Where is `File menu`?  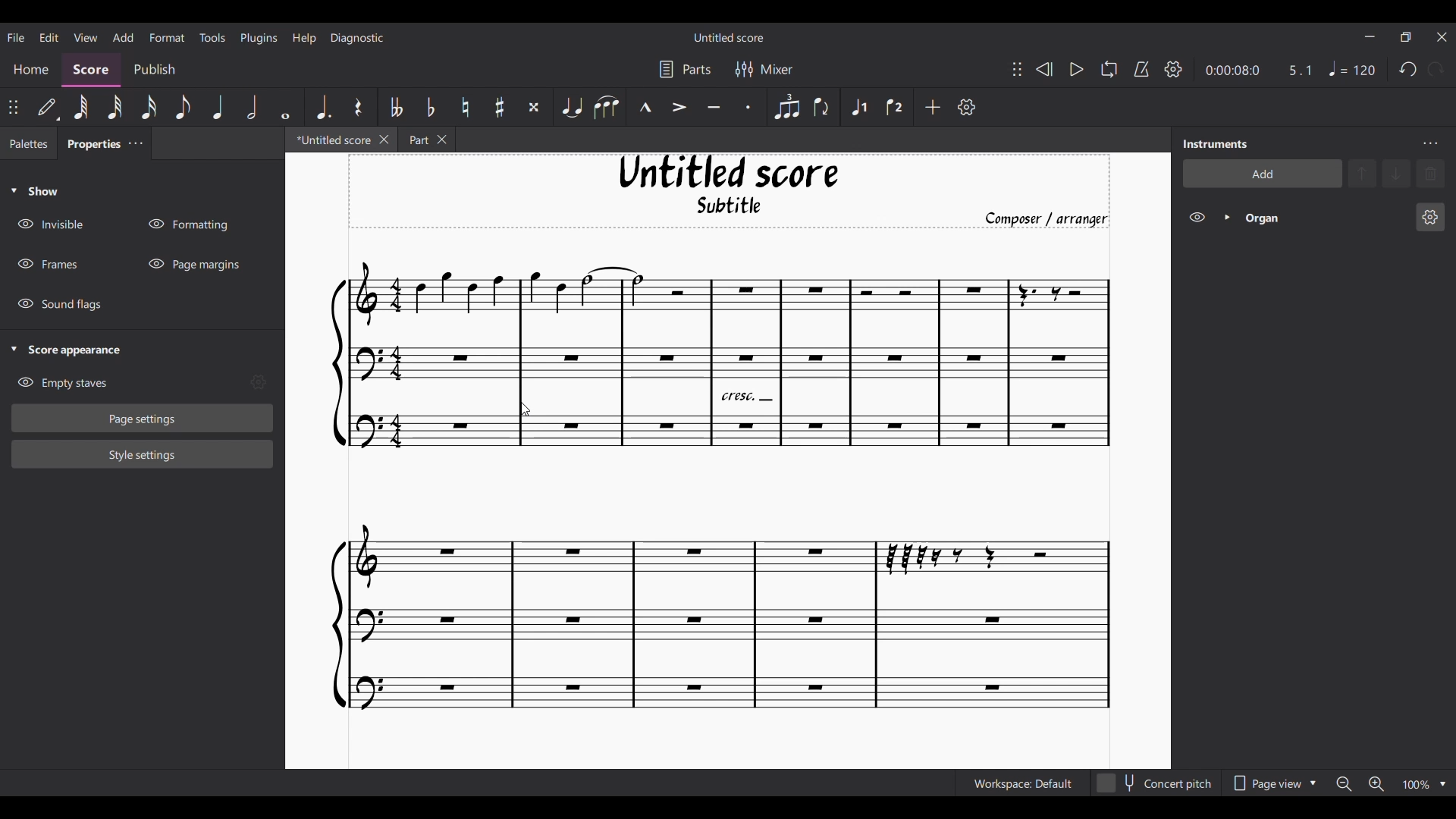 File menu is located at coordinates (16, 36).